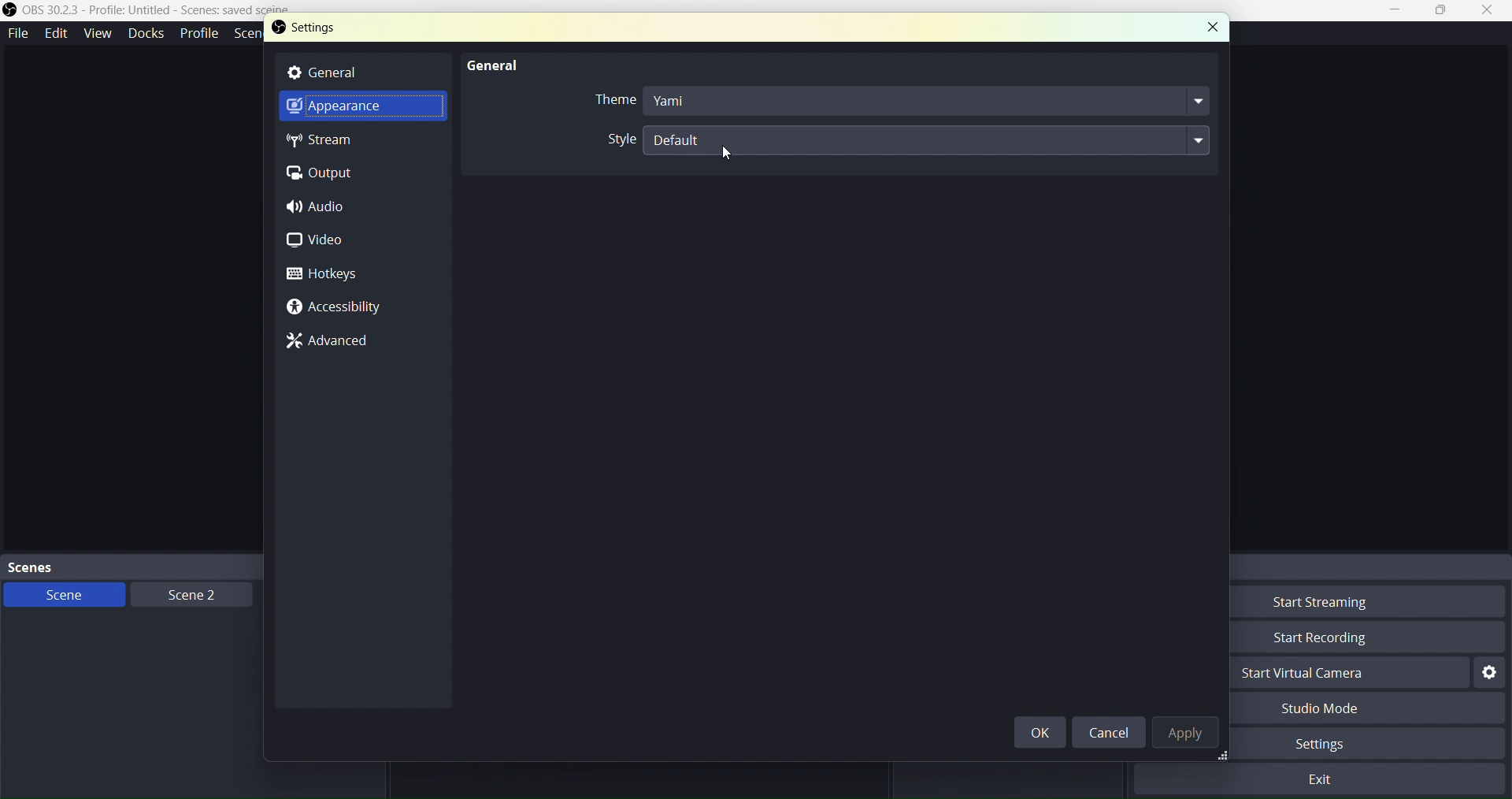 The image size is (1512, 799). I want to click on Minimize, so click(1400, 10).